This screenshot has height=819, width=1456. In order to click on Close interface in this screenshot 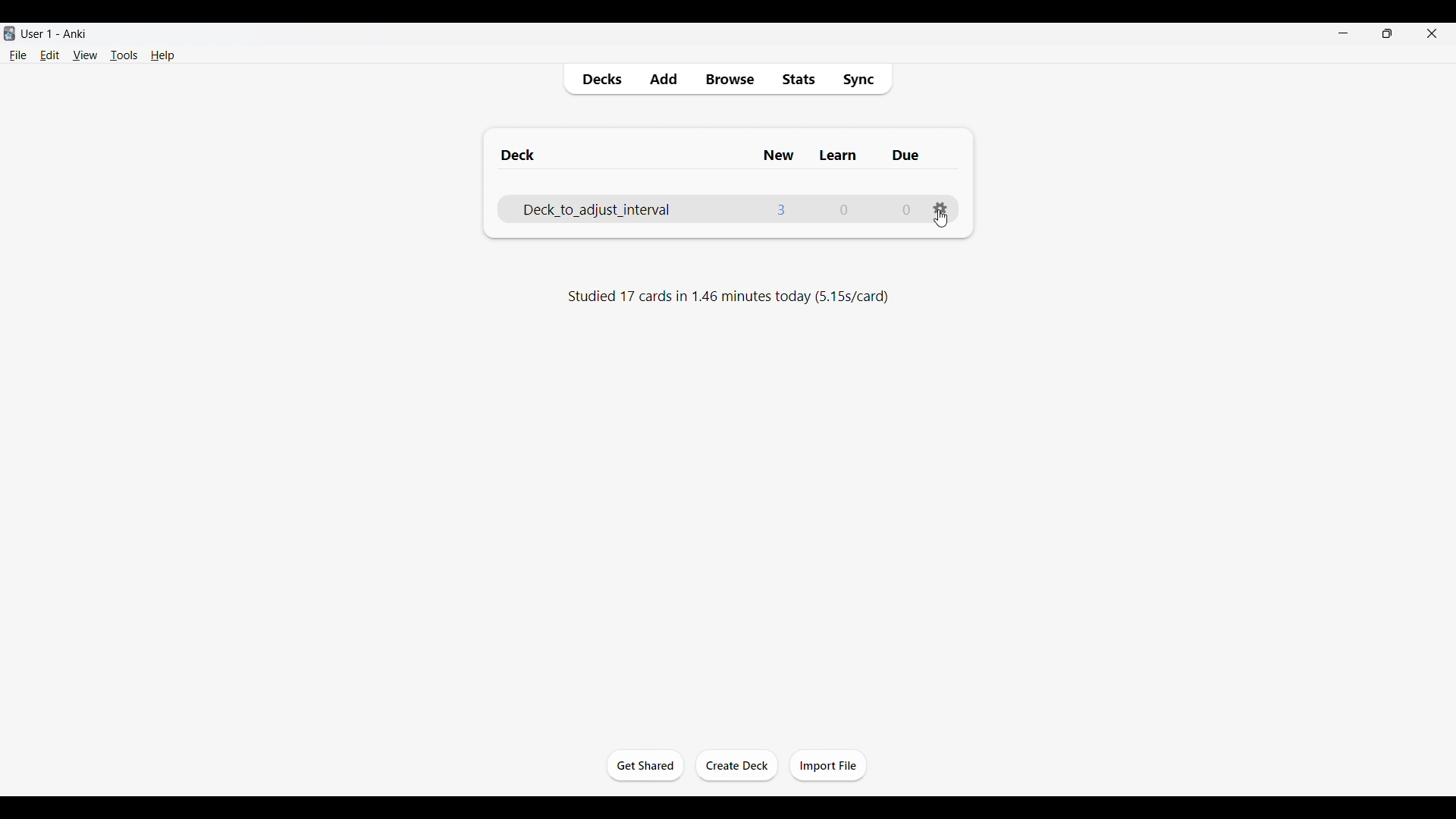, I will do `click(1432, 33)`.